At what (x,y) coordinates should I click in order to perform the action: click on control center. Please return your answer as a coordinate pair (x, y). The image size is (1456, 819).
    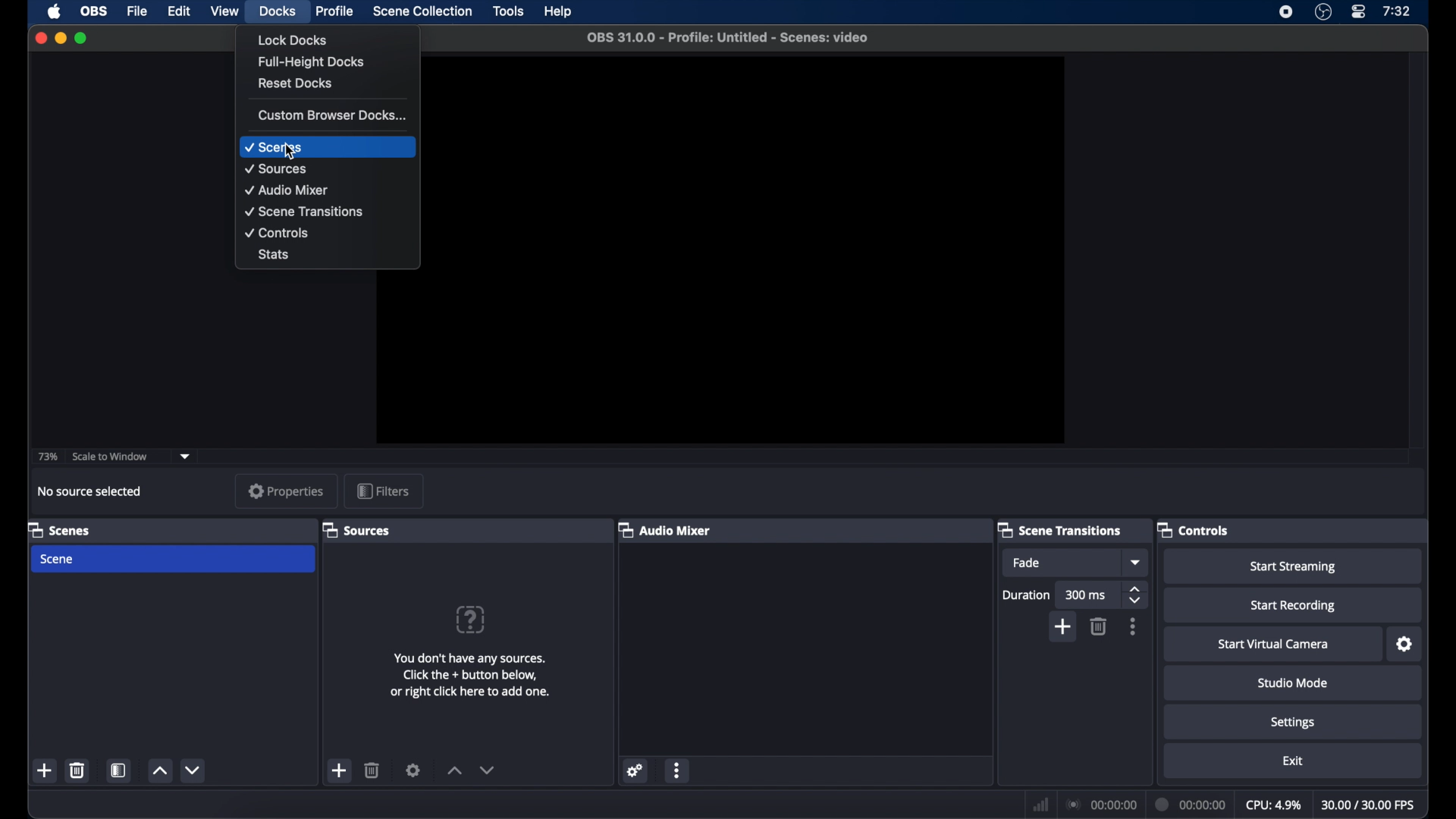
    Looking at the image, I should click on (1359, 12).